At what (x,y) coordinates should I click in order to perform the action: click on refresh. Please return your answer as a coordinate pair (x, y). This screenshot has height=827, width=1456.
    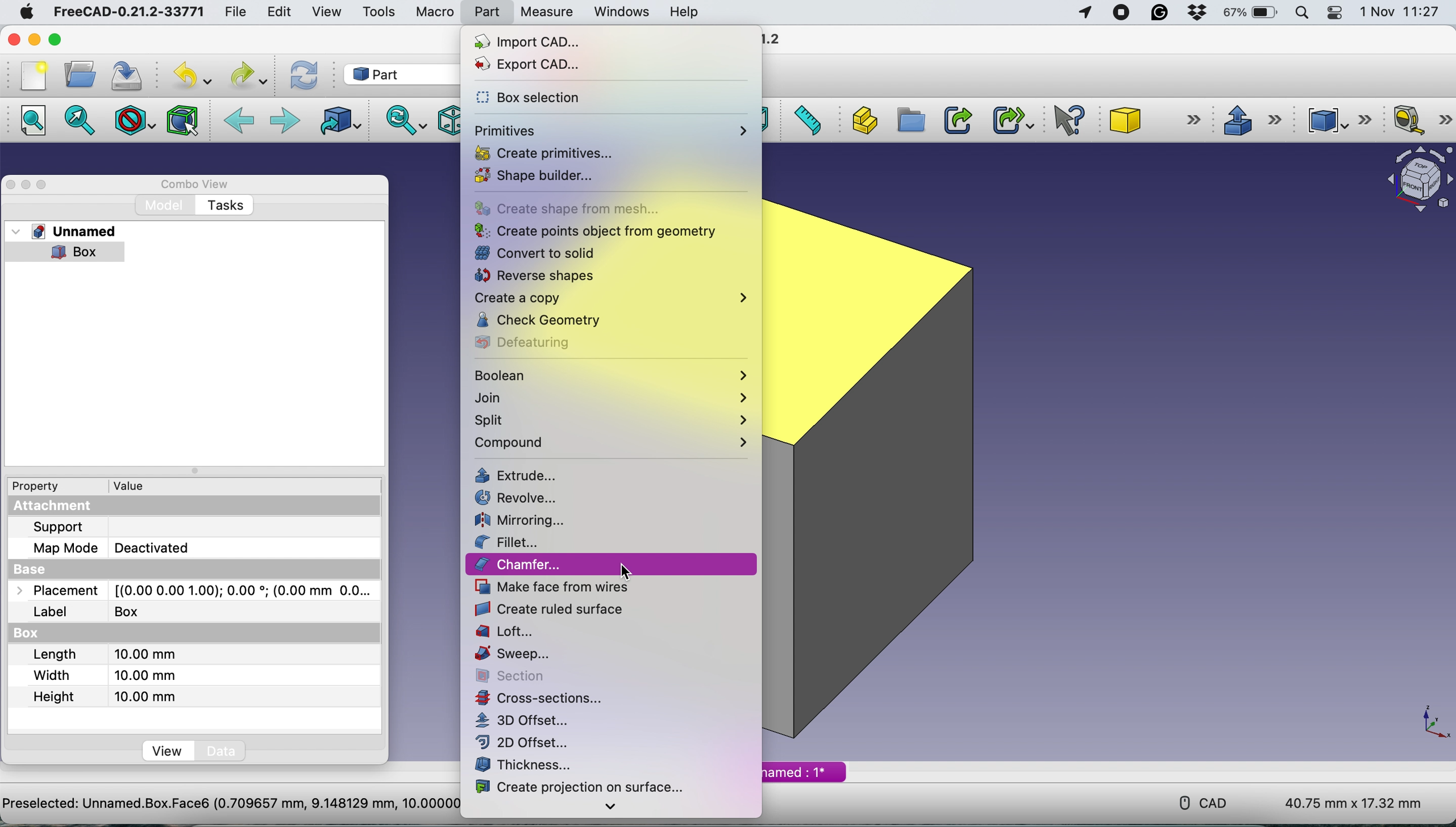
    Looking at the image, I should click on (302, 73).